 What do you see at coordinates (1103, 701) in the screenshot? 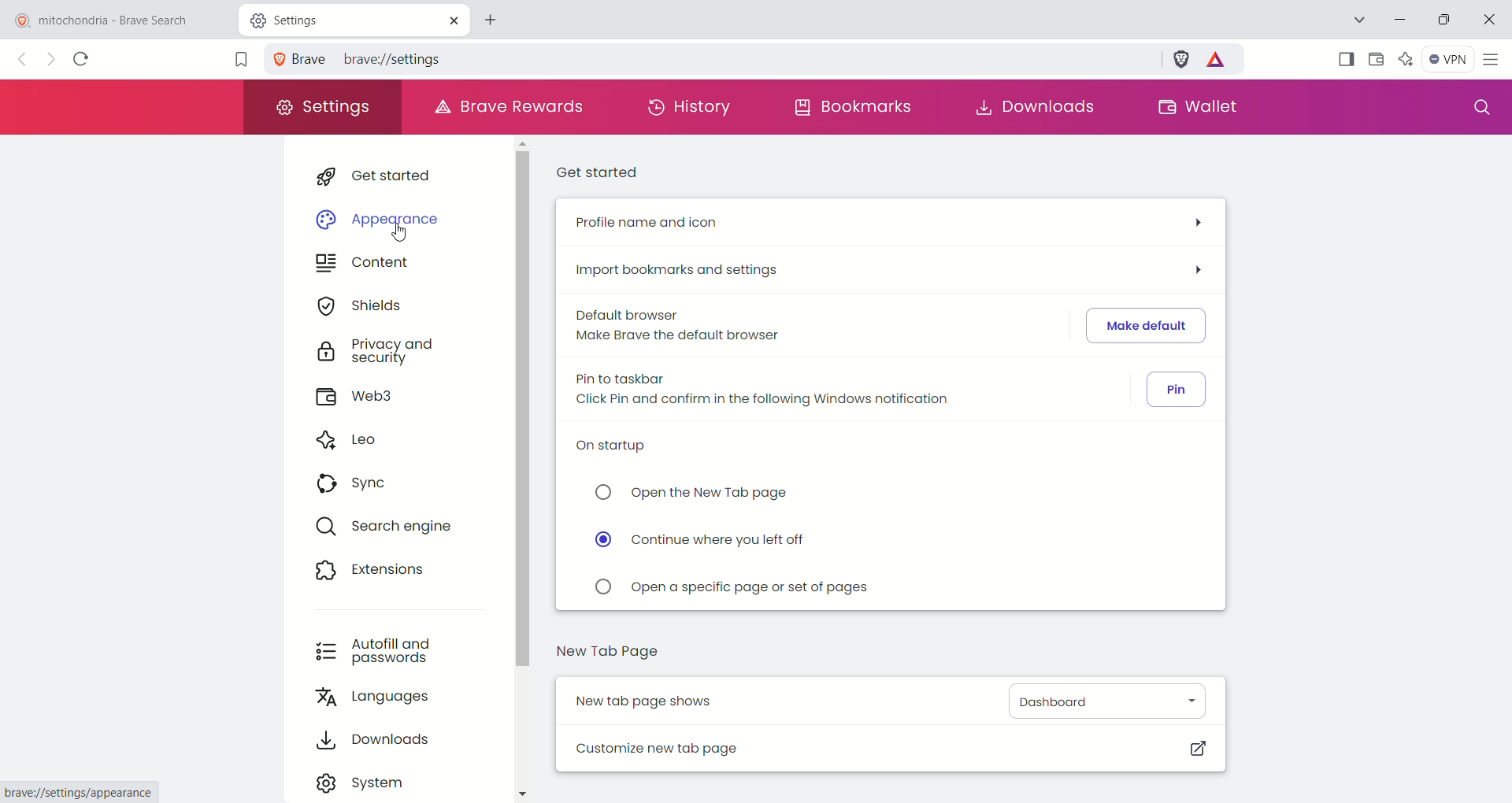
I see `dashboard` at bounding box center [1103, 701].